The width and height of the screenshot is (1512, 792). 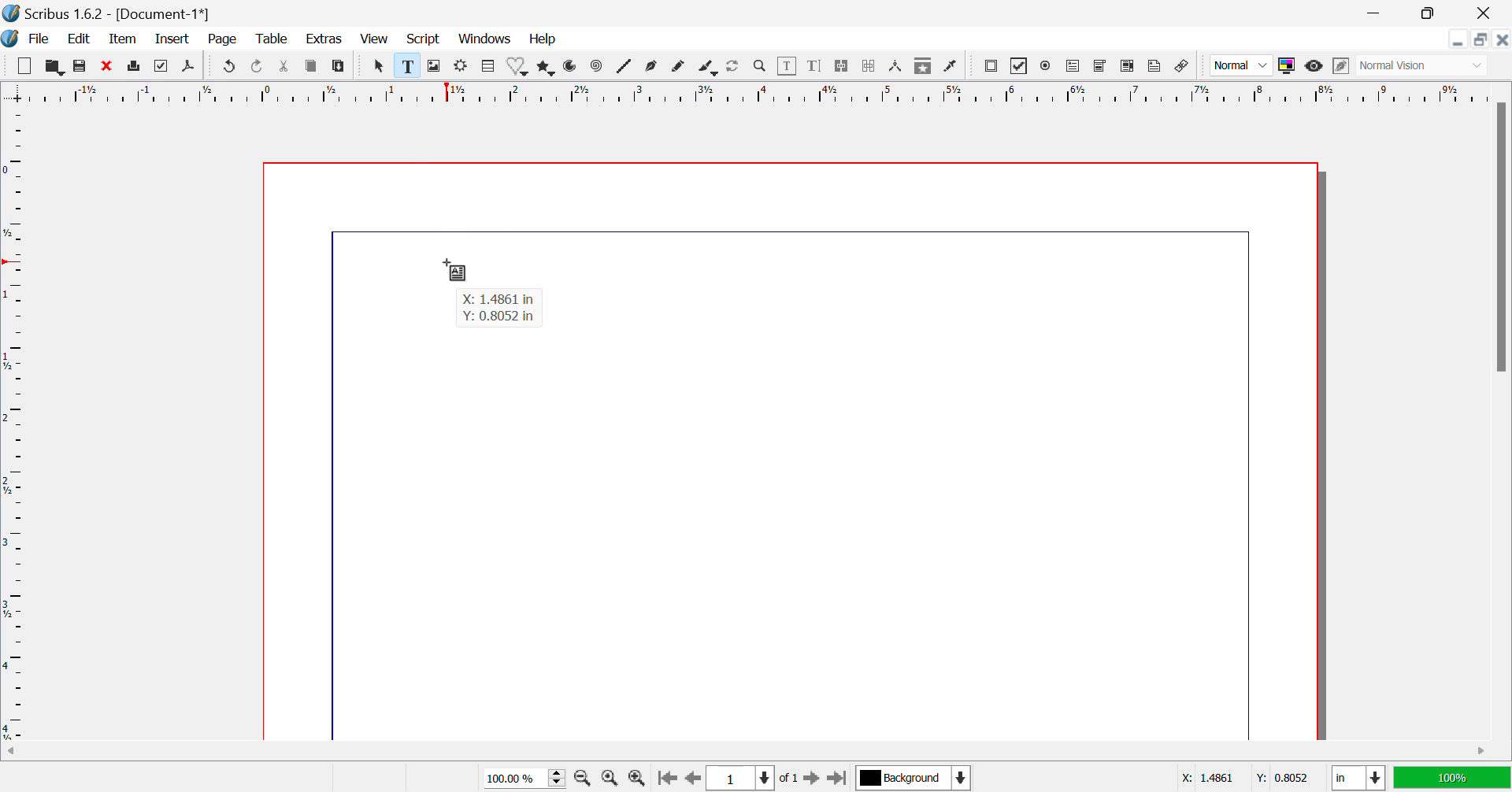 I want to click on Insert, so click(x=174, y=39).